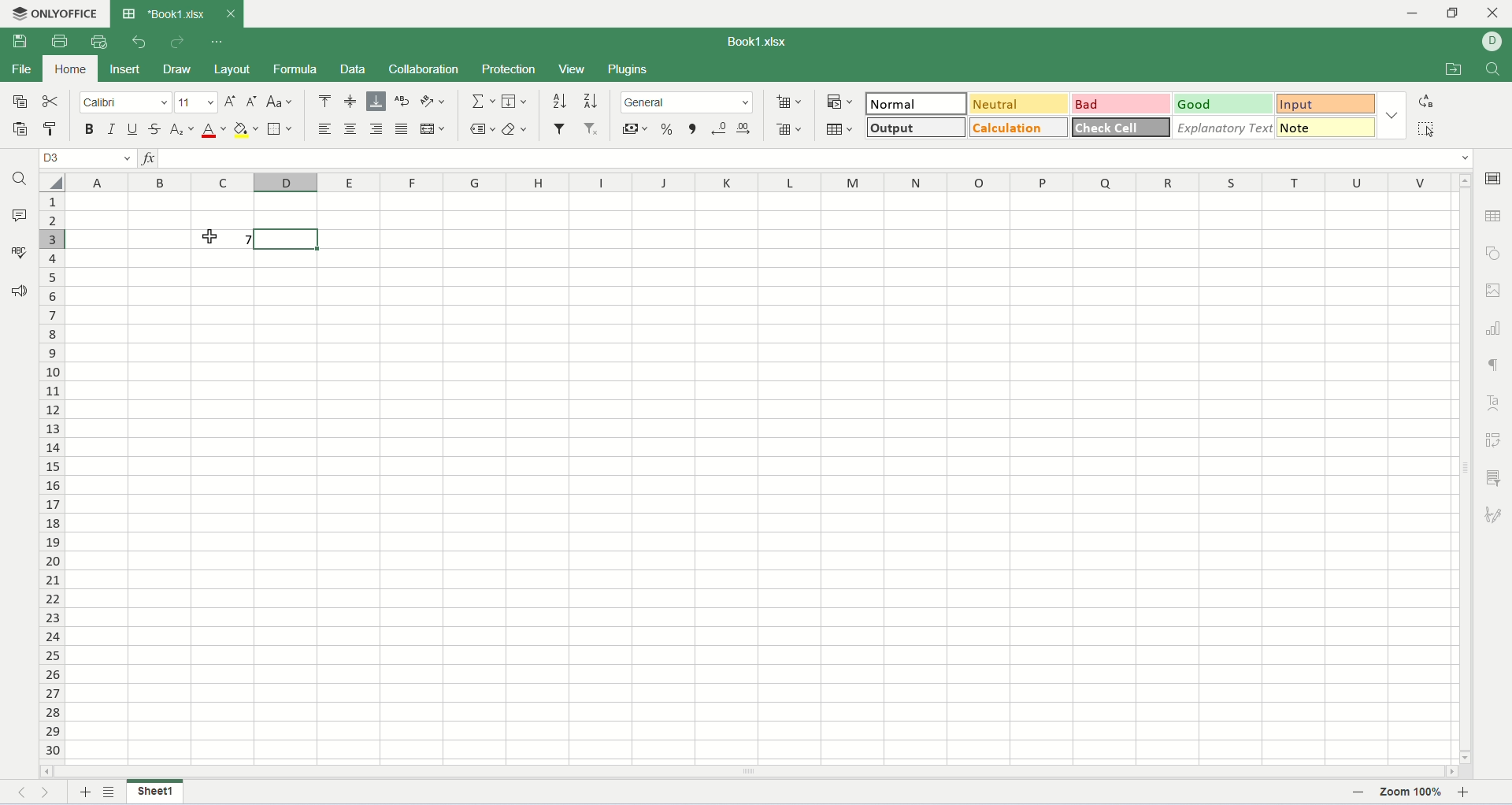 This screenshot has height=805, width=1512. What do you see at coordinates (1410, 12) in the screenshot?
I see `minimize` at bounding box center [1410, 12].